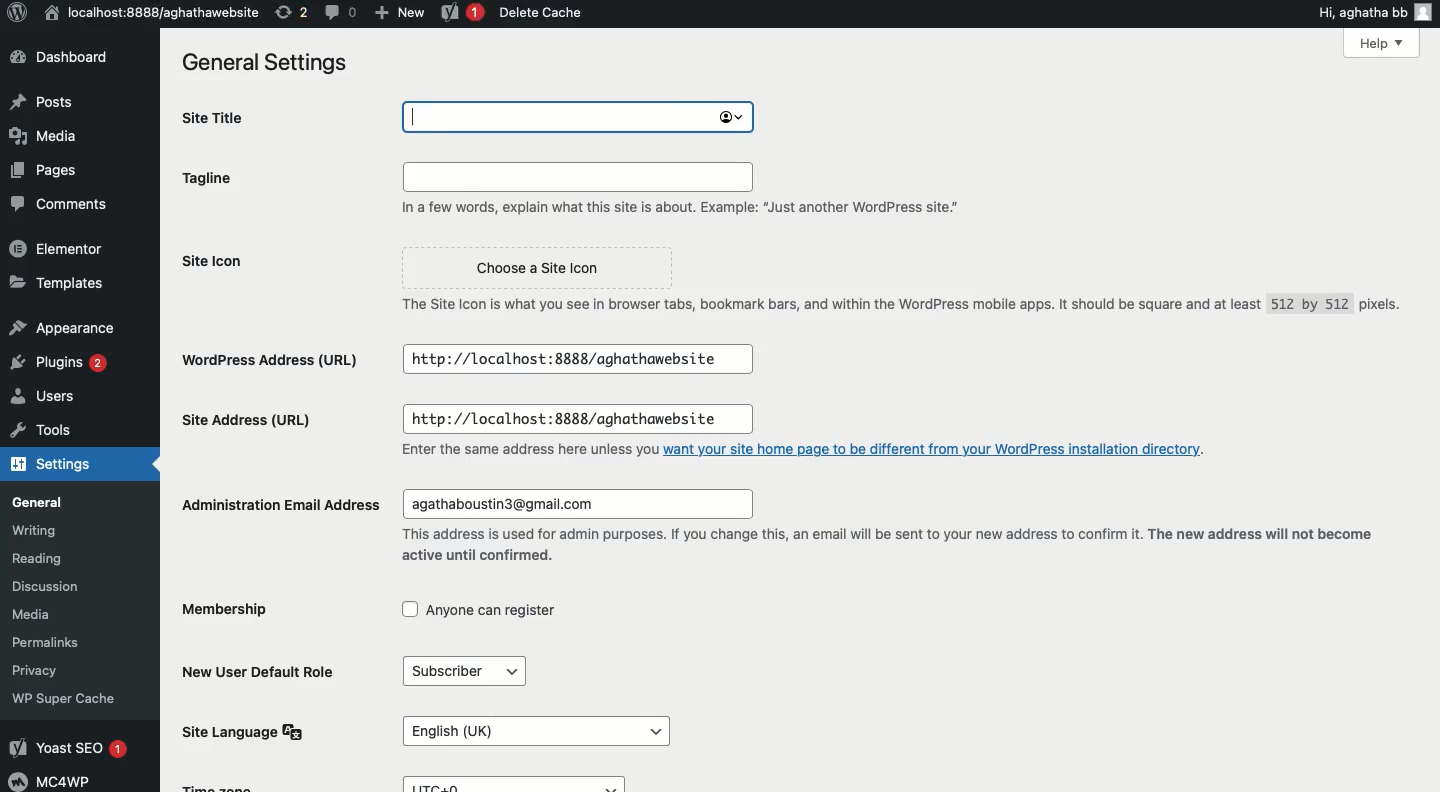 This screenshot has height=792, width=1440. Describe the element at coordinates (1383, 43) in the screenshot. I see `Help` at that location.